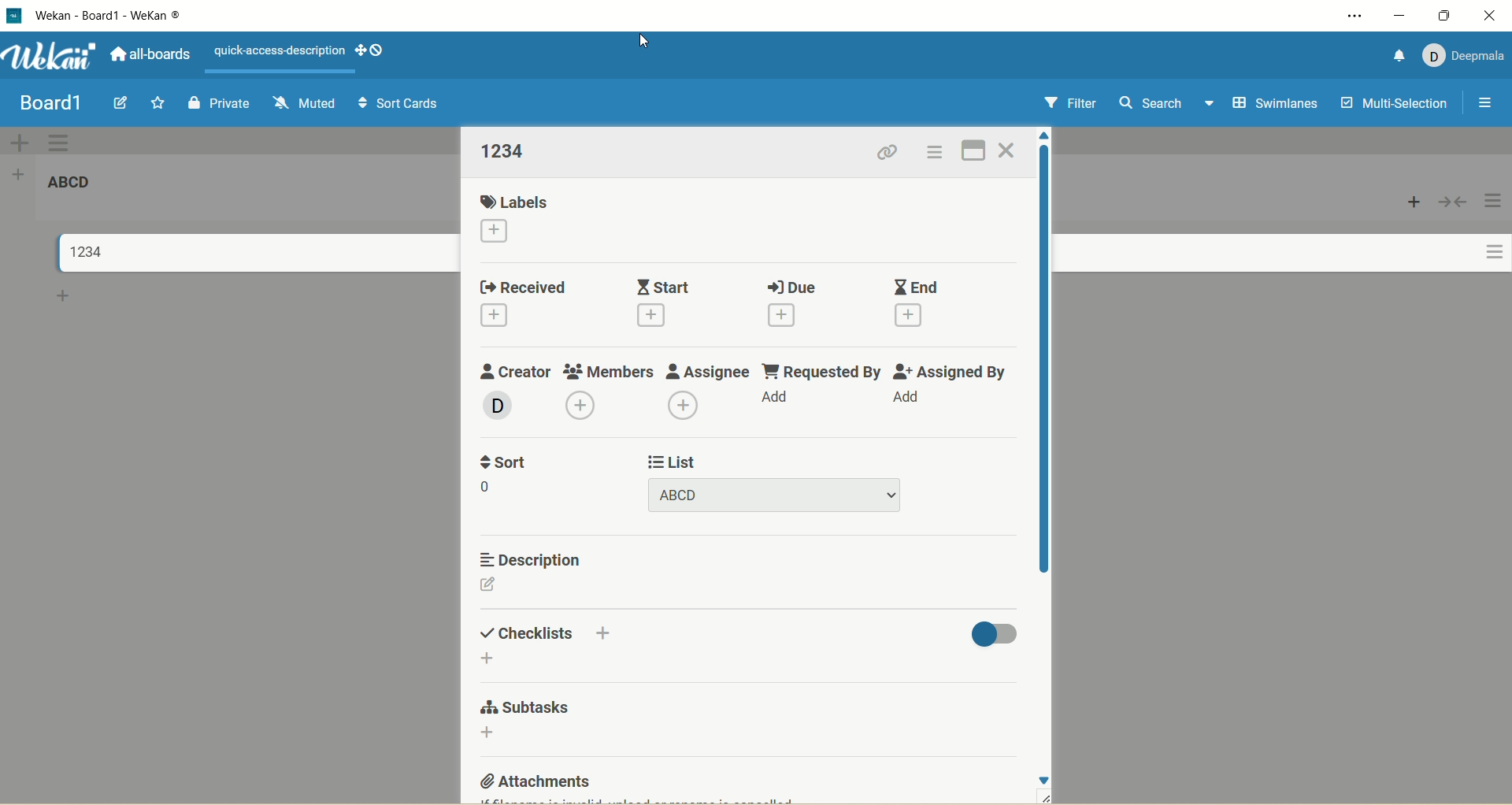 The width and height of the screenshot is (1512, 805). I want to click on assigned by, so click(946, 371).